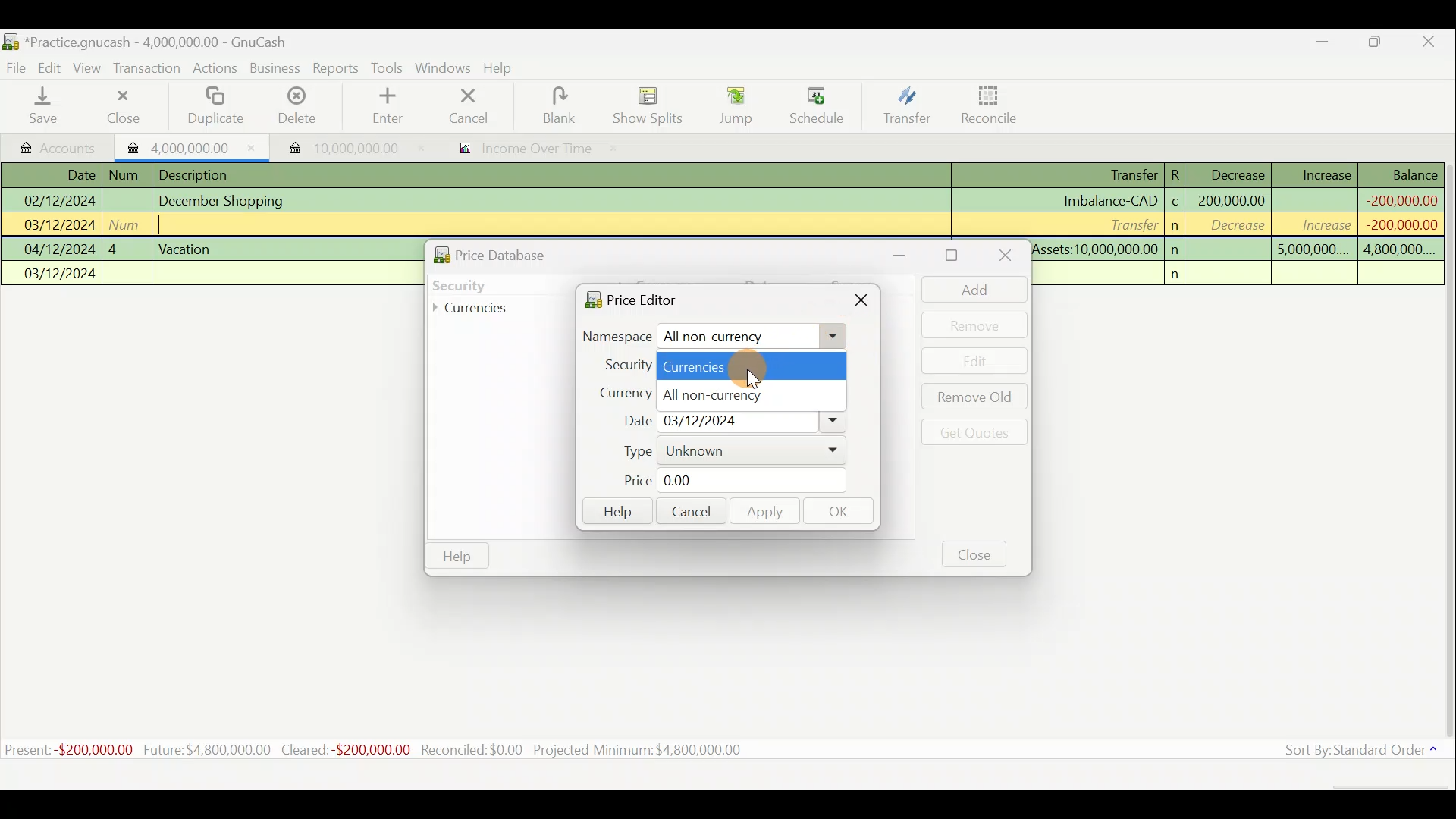 This screenshot has height=819, width=1456. Describe the element at coordinates (276, 68) in the screenshot. I see `Business` at that location.